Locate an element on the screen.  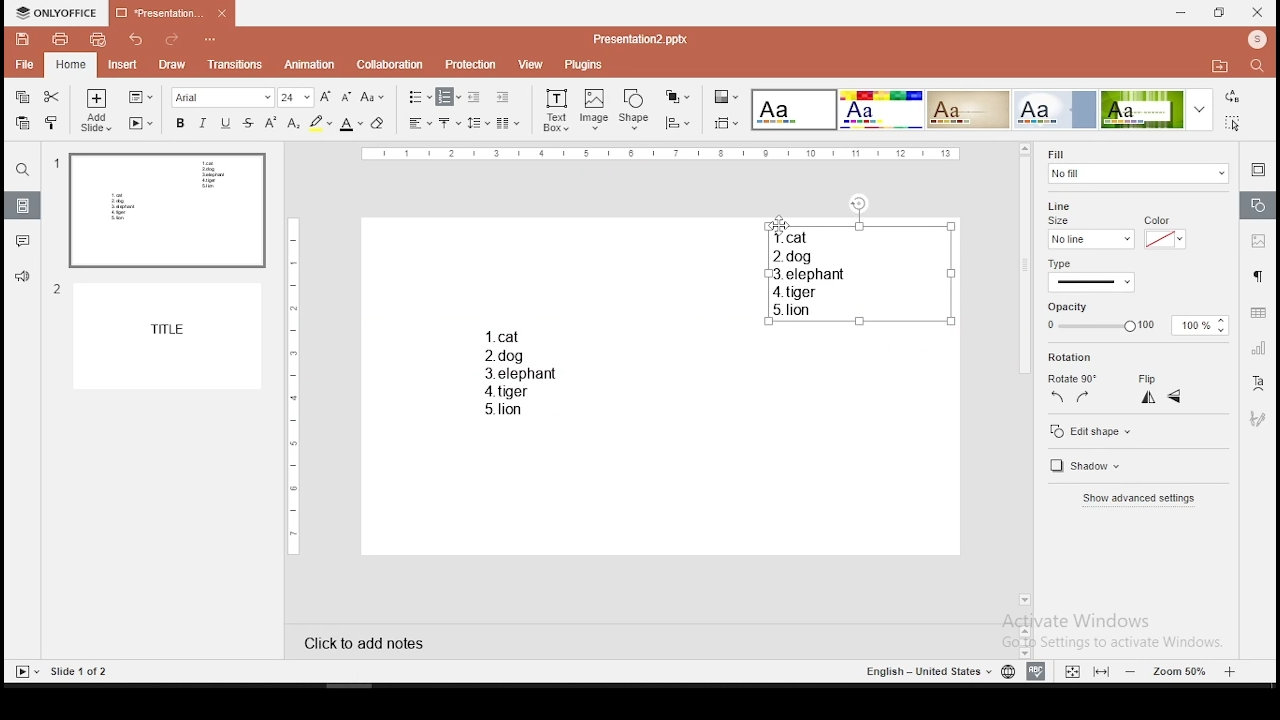
text box is located at coordinates (518, 369).